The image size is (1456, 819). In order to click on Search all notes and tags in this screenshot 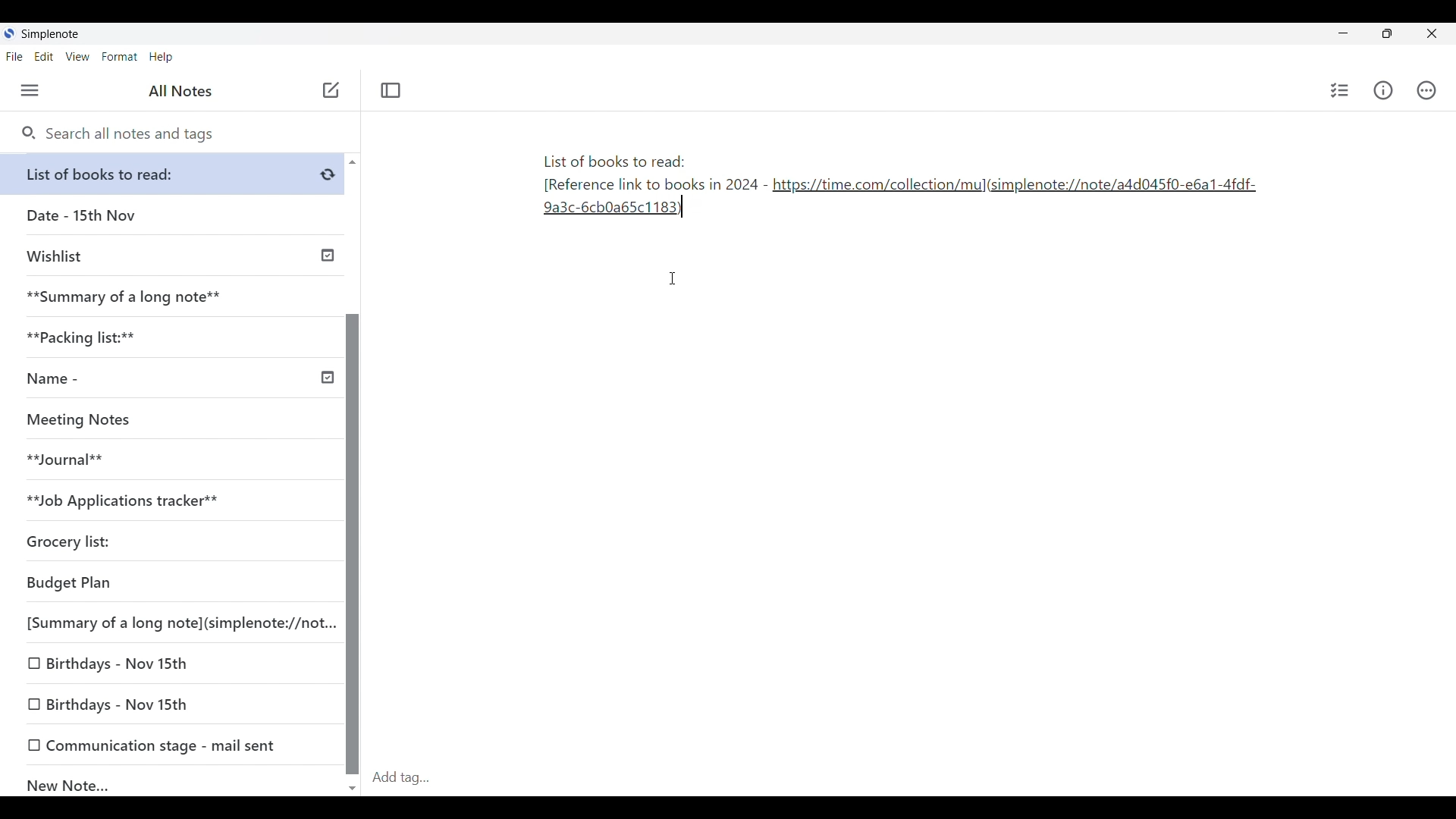, I will do `click(118, 134)`.